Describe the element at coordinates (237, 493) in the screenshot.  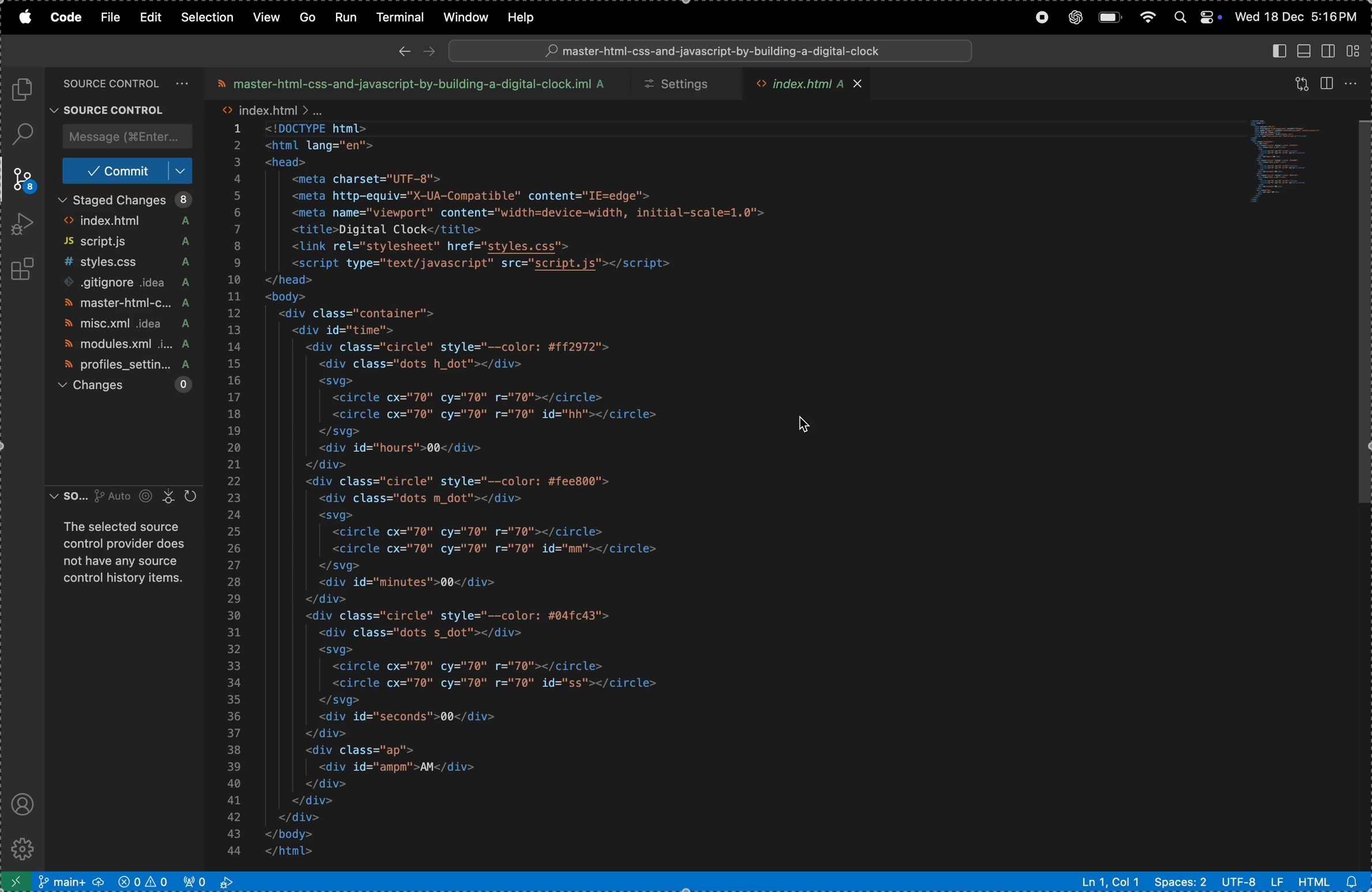
I see `numbers` at that location.